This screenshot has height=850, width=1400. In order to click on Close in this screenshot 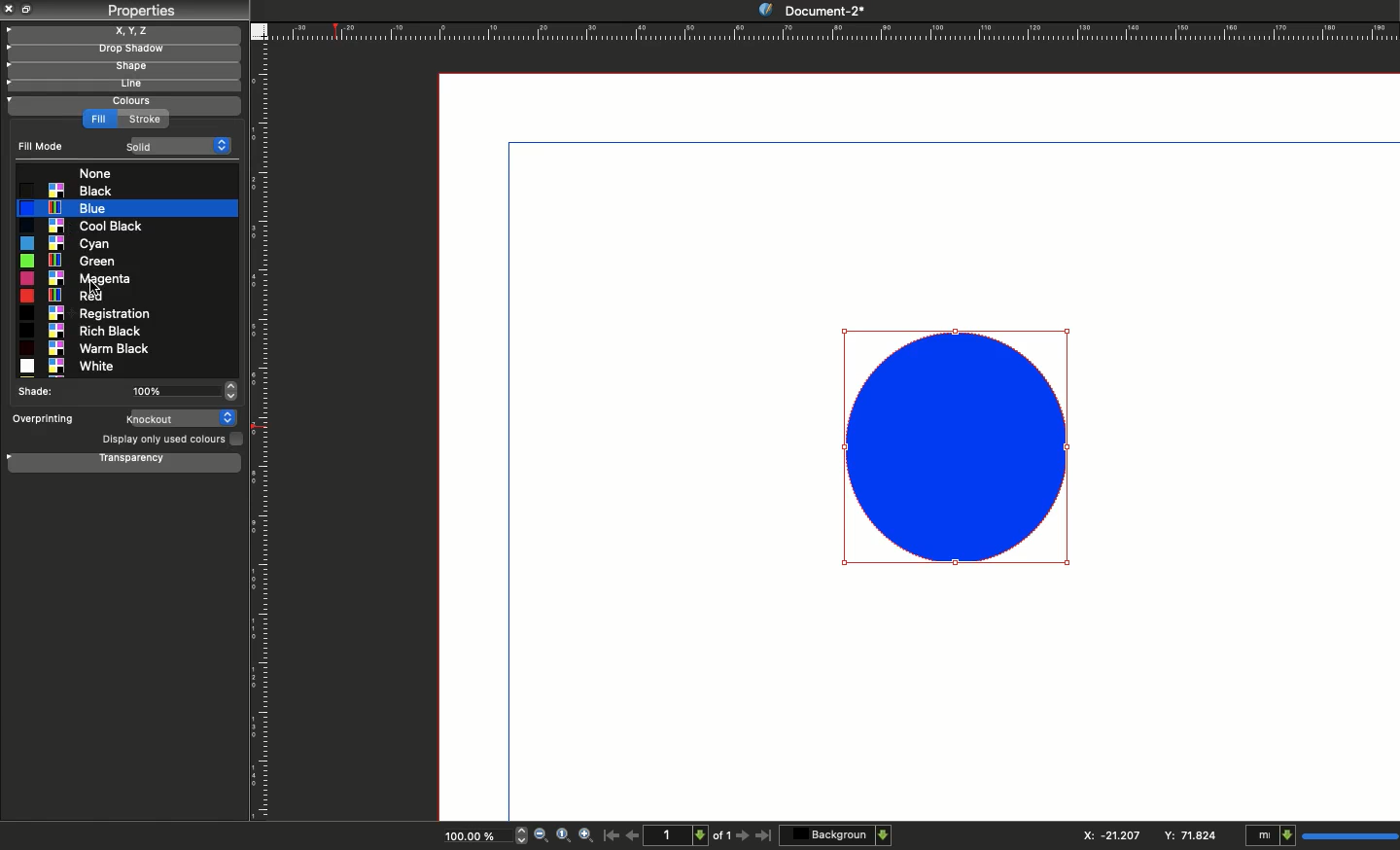, I will do `click(10, 9)`.